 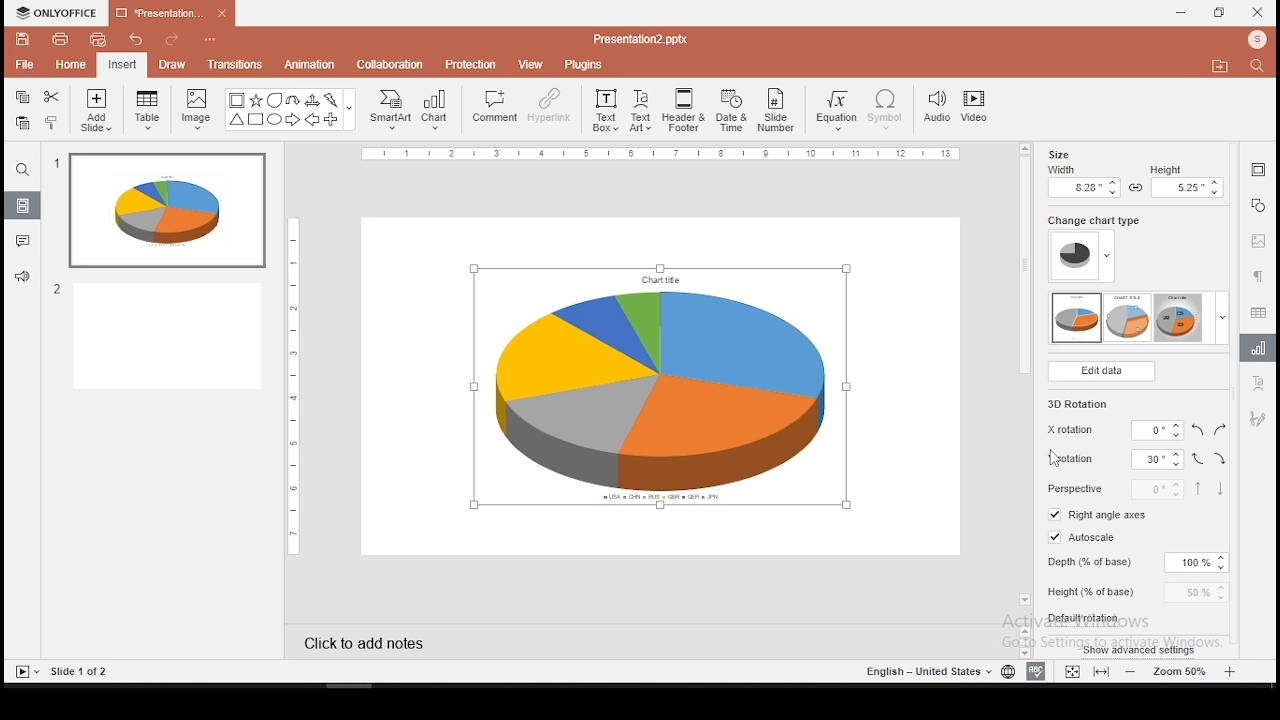 I want to click on comment, so click(x=491, y=111).